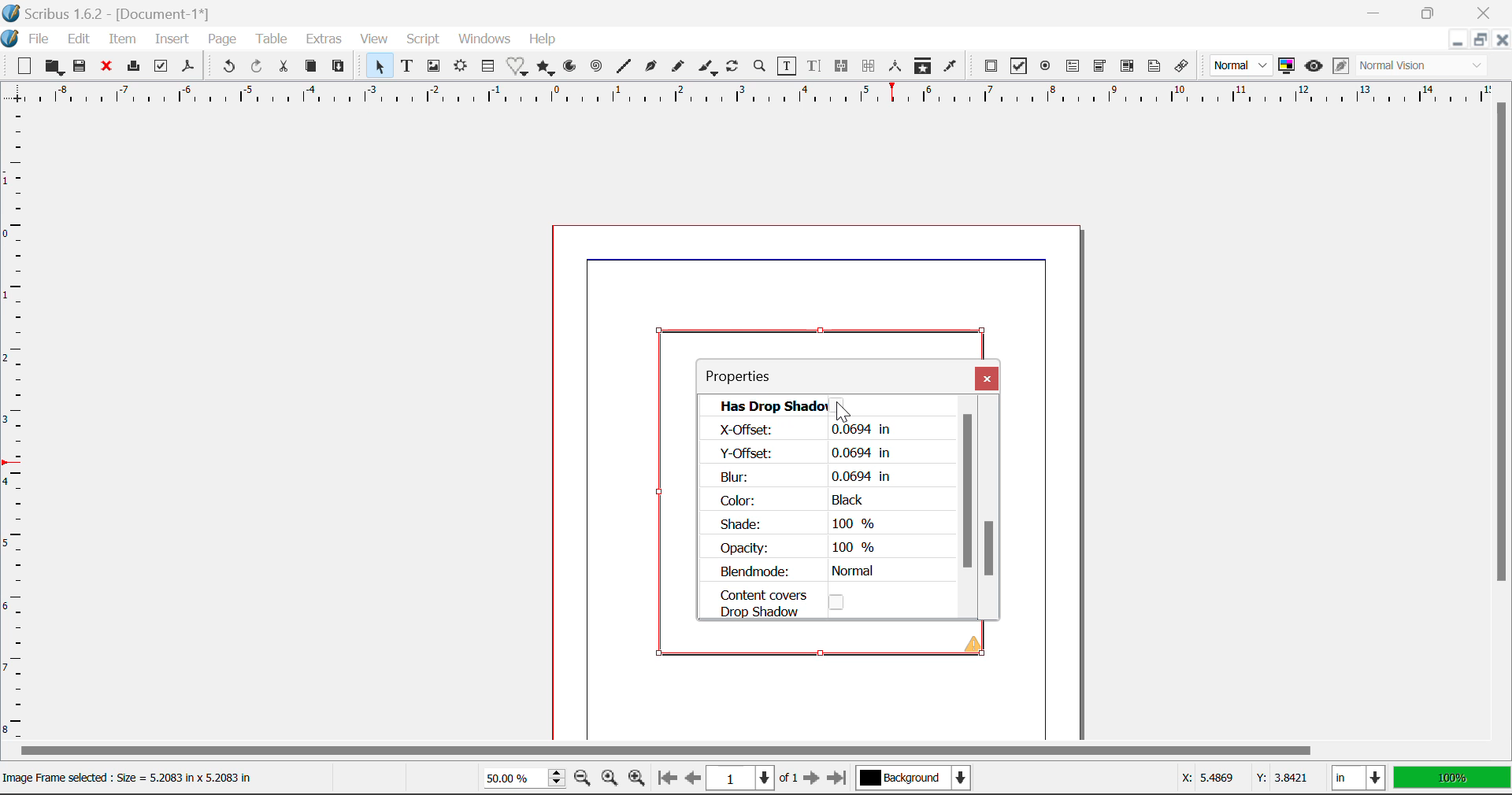  I want to click on First page, so click(667, 781).